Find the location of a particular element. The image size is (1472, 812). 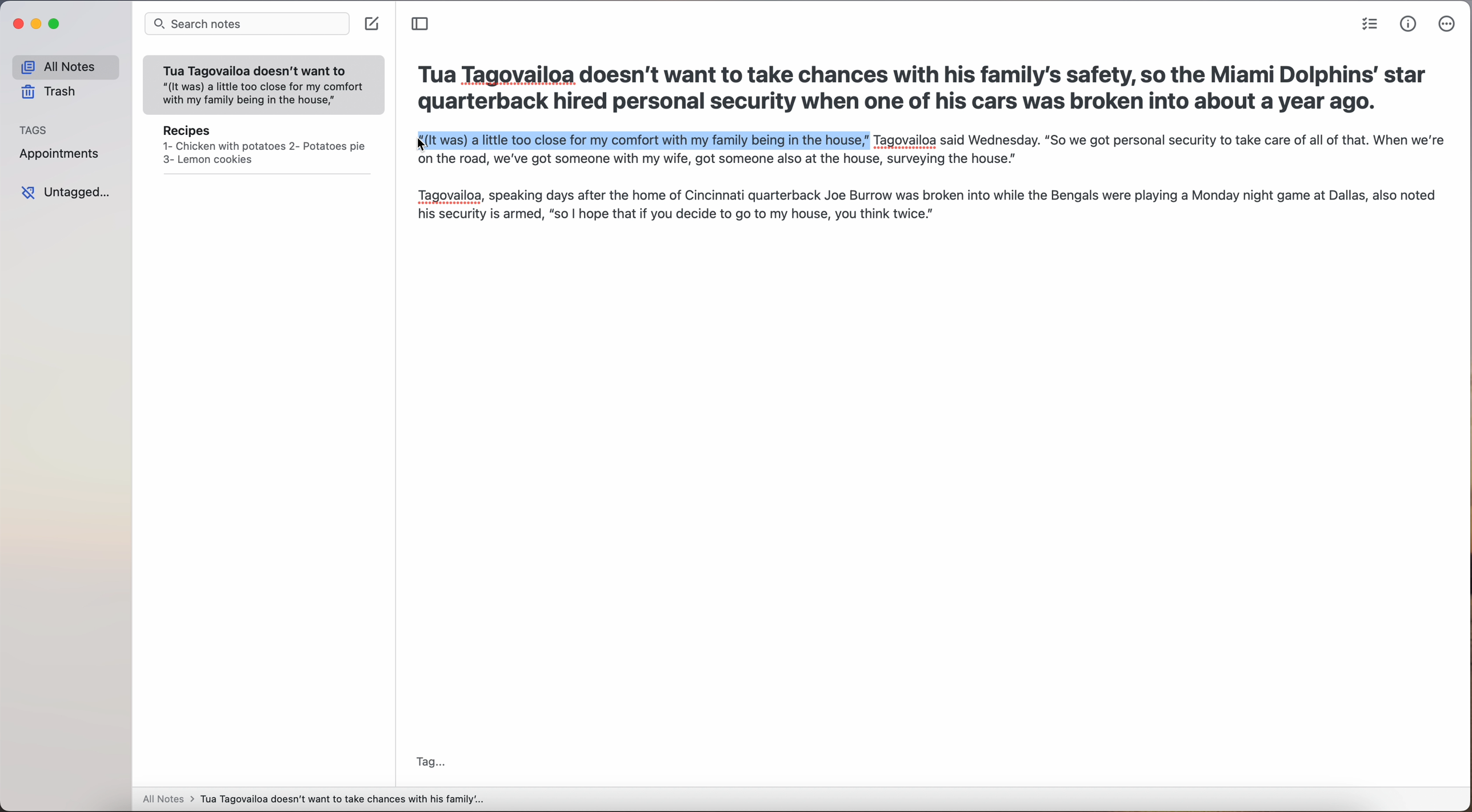

close Simplenote is located at coordinates (17, 24).